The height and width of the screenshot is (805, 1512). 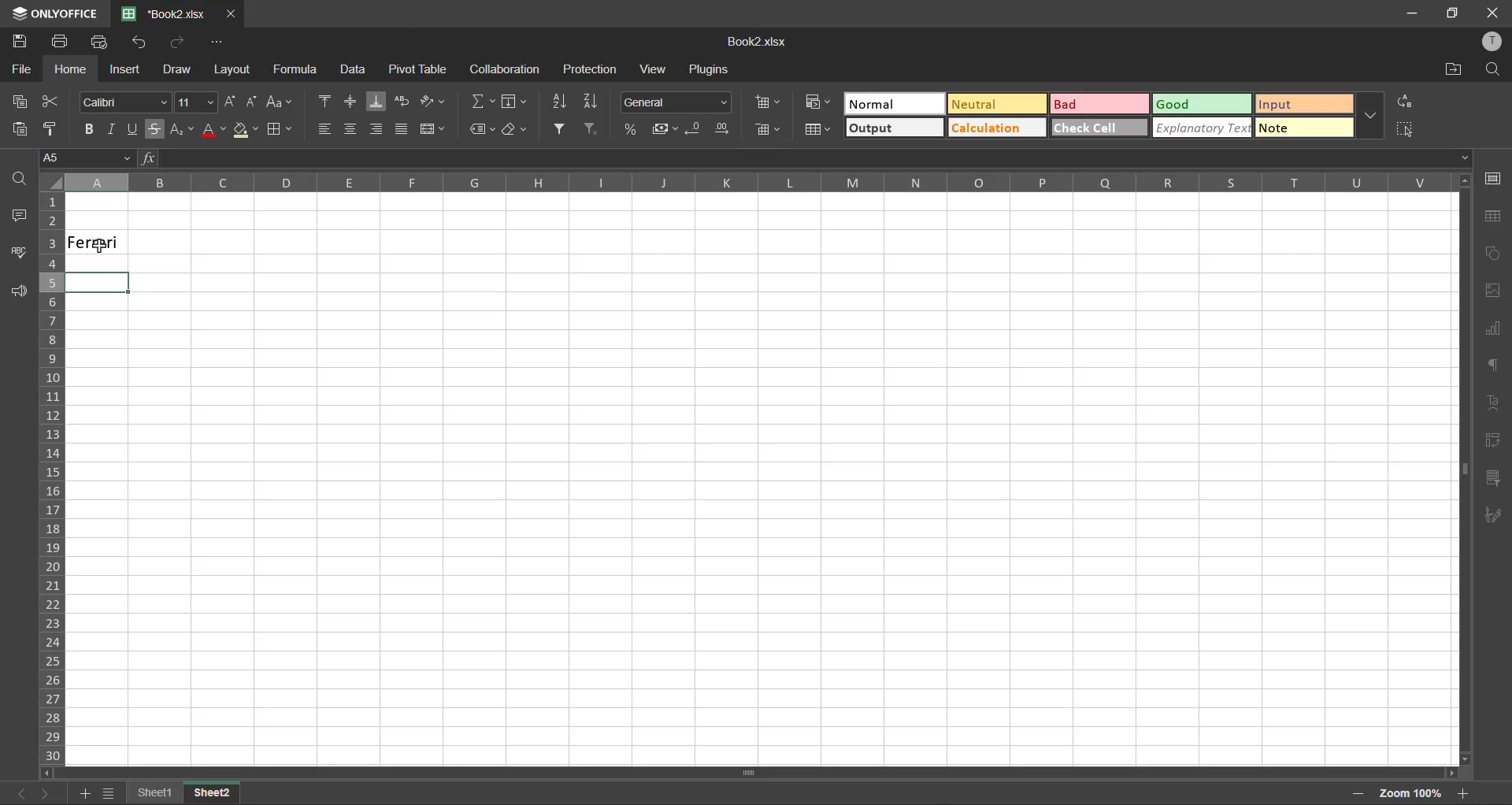 I want to click on customize quick access toolbar, so click(x=224, y=42).